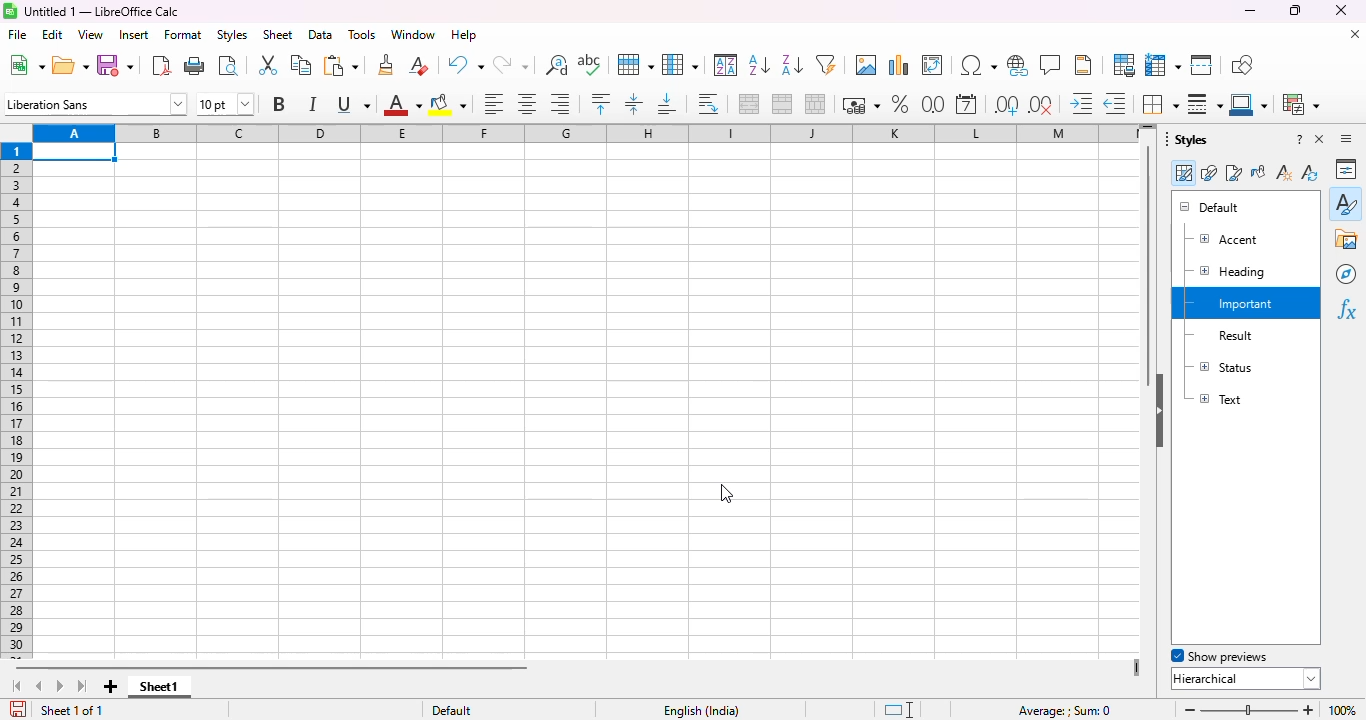  I want to click on window, so click(413, 34).